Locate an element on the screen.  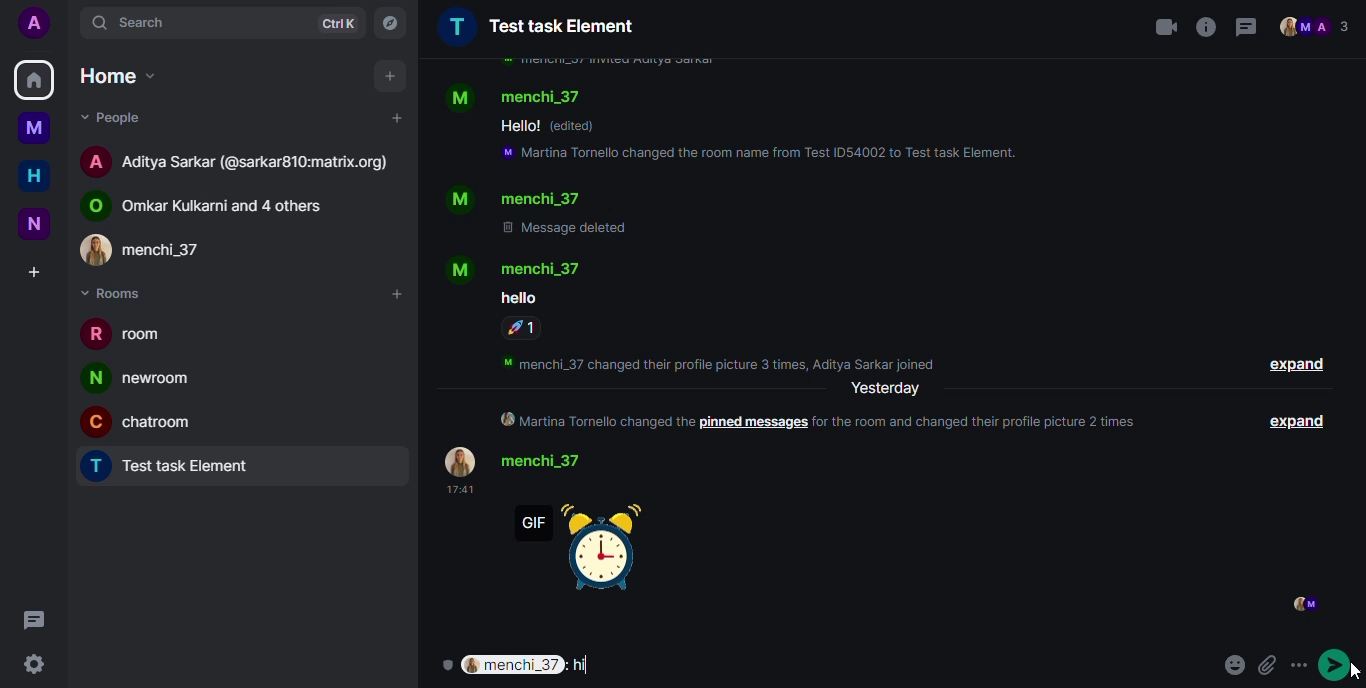
encryption is located at coordinates (446, 662).